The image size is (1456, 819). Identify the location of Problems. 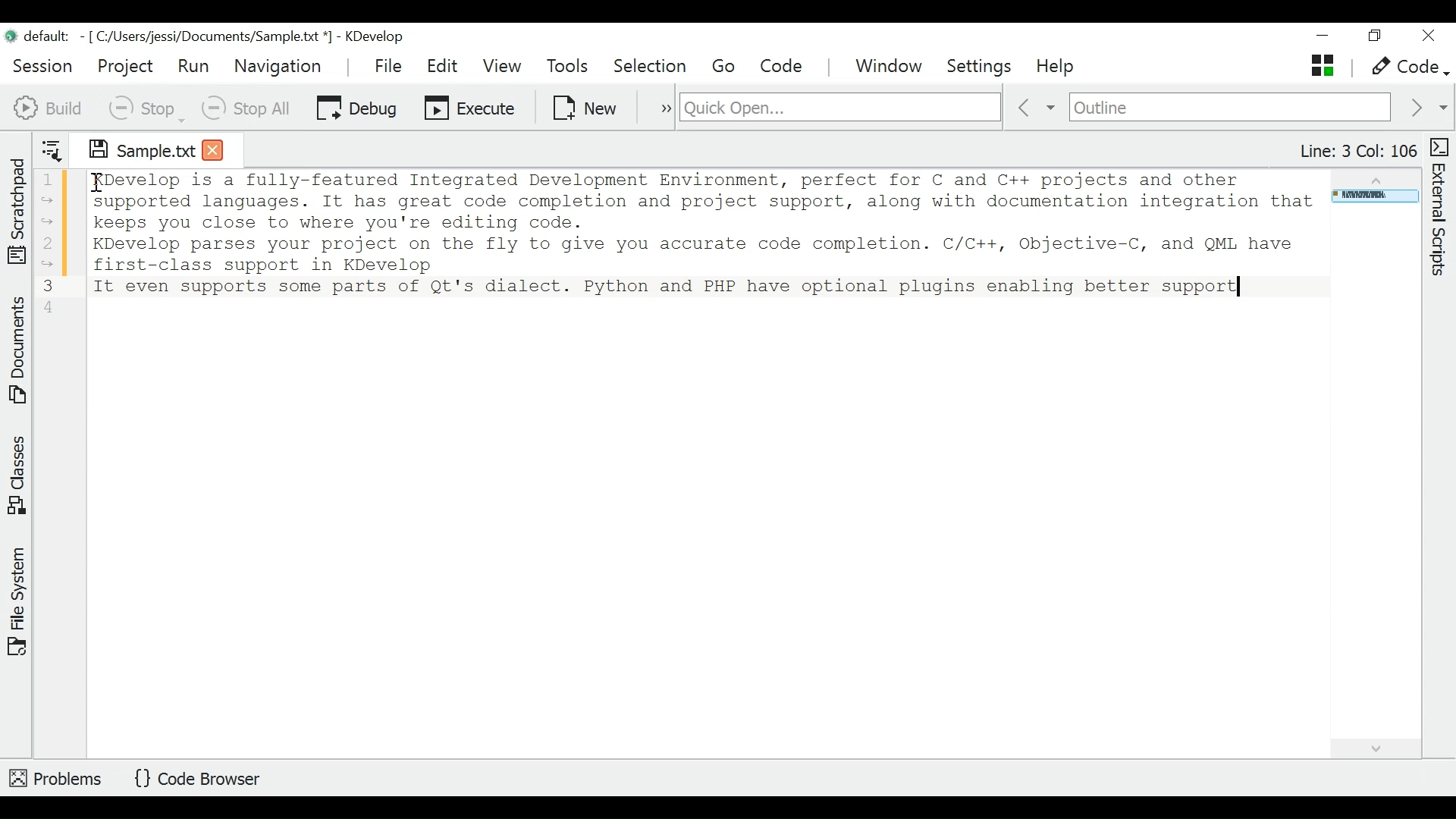
(57, 776).